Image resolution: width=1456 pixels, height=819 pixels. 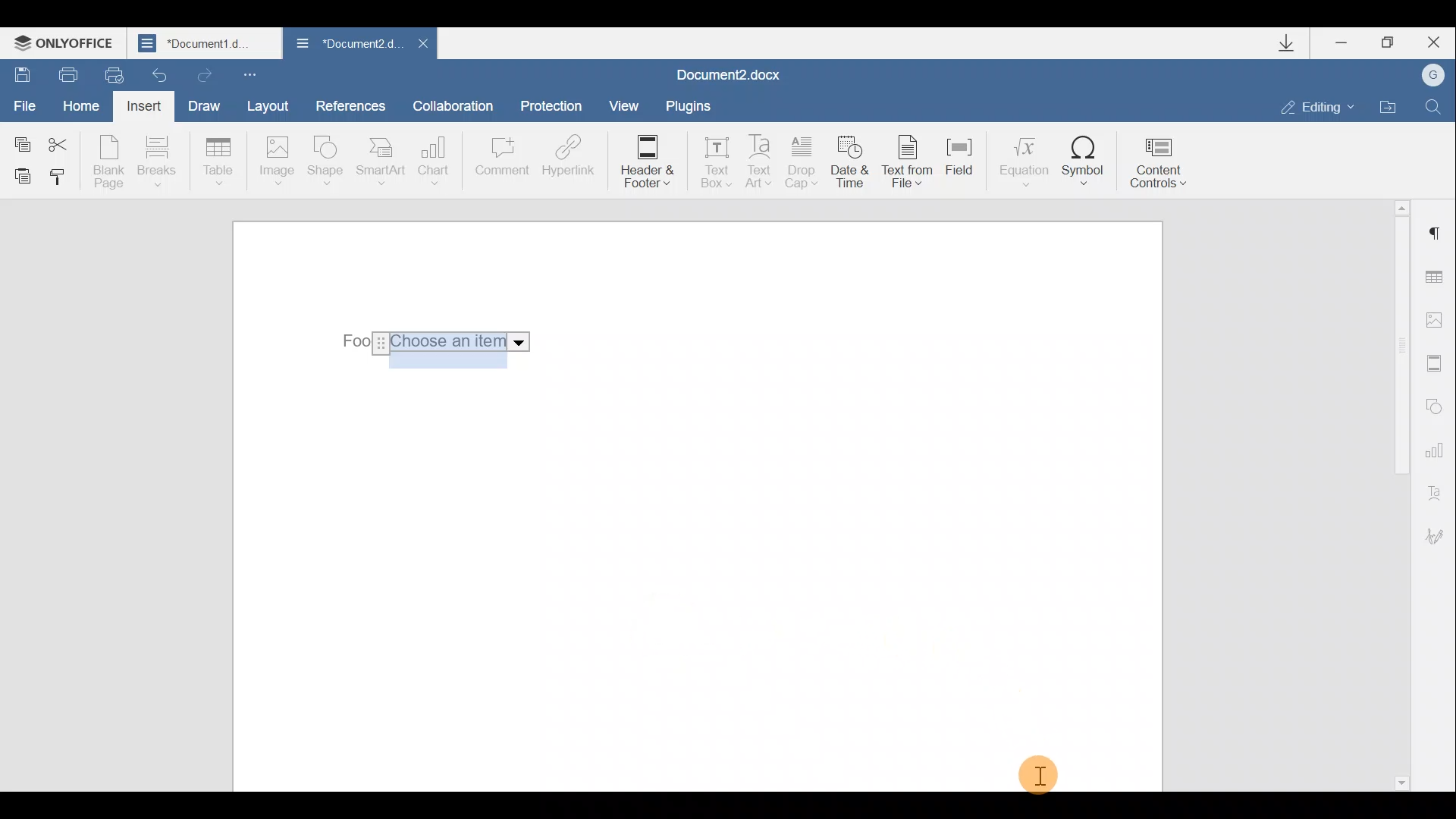 What do you see at coordinates (1084, 160) in the screenshot?
I see `Symbol` at bounding box center [1084, 160].